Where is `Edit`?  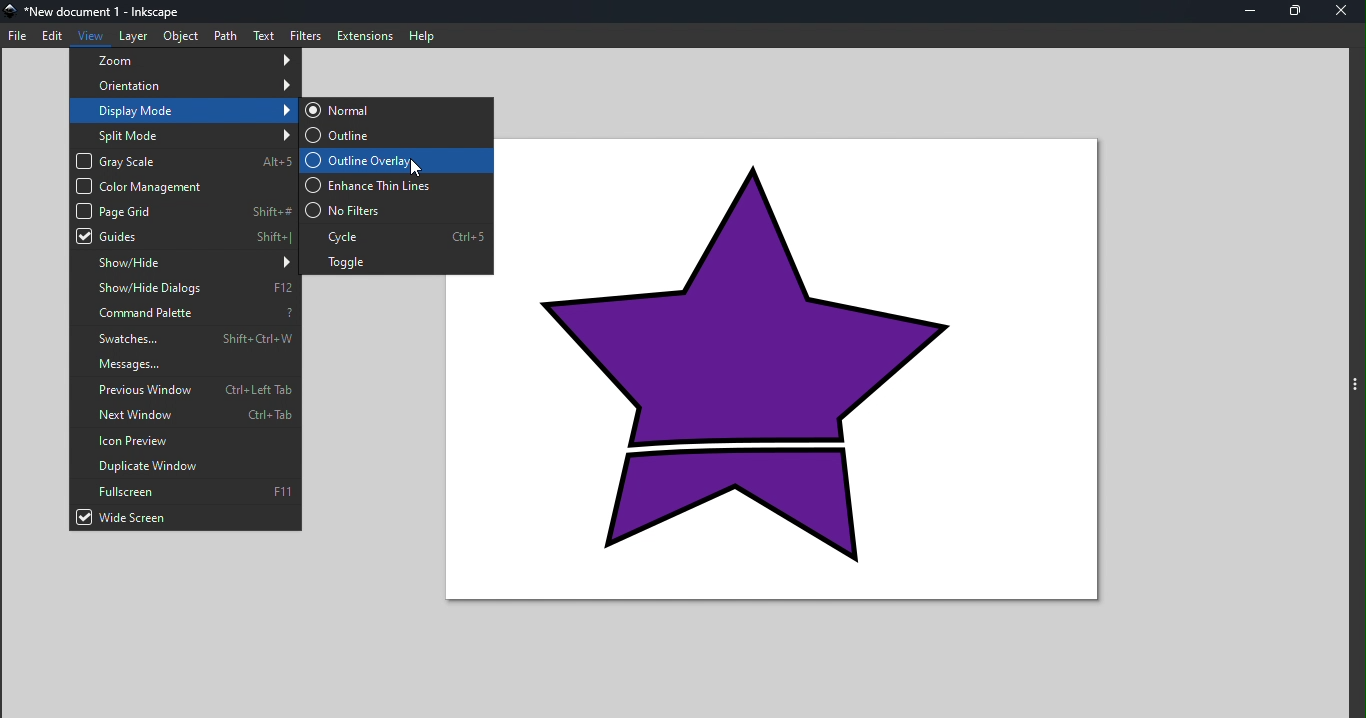
Edit is located at coordinates (55, 37).